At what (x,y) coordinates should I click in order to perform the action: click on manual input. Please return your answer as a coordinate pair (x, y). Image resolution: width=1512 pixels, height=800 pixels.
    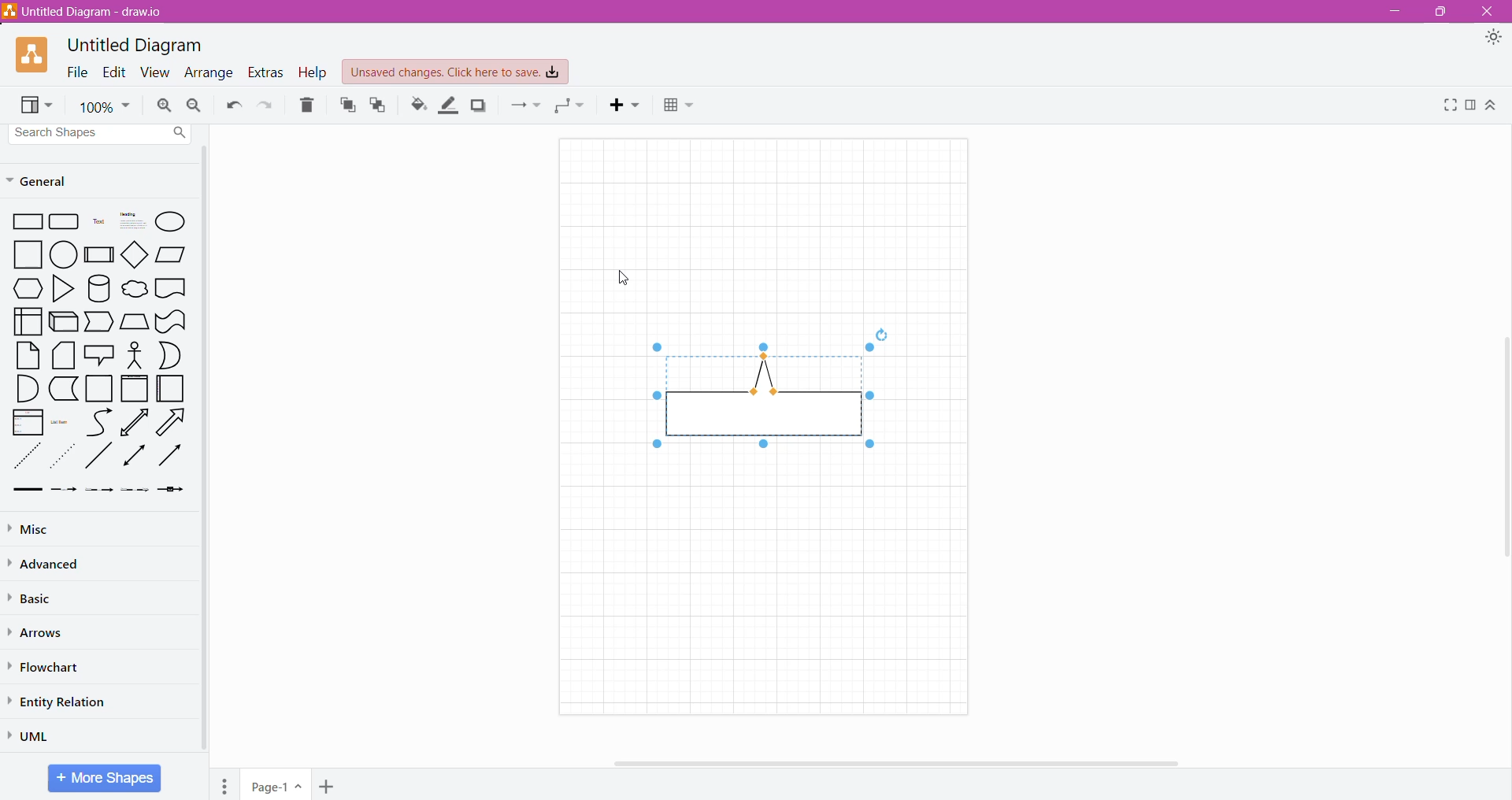
    Looking at the image, I should click on (135, 321).